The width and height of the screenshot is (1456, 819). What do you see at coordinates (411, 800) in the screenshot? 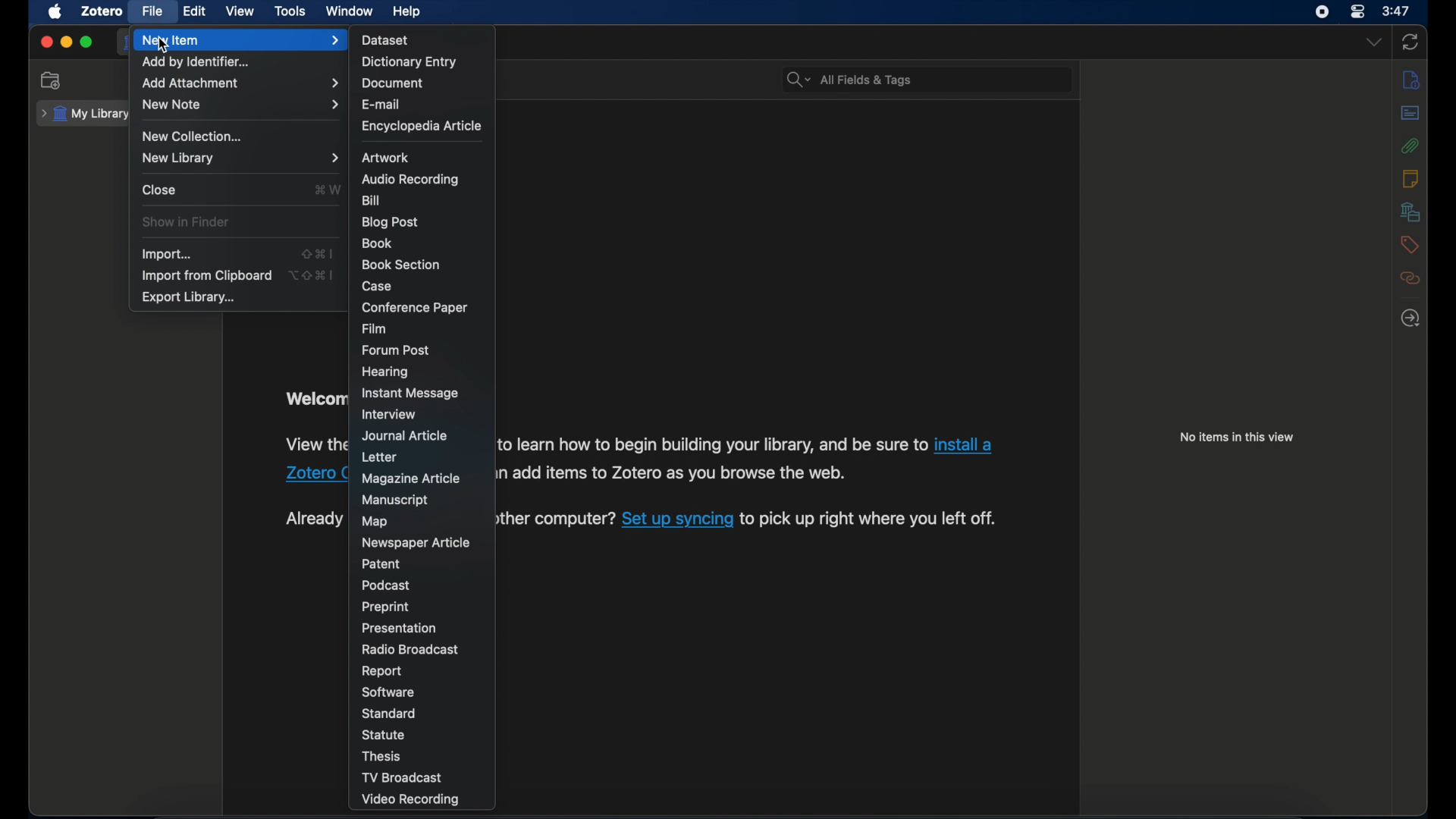
I see `video recording` at bounding box center [411, 800].